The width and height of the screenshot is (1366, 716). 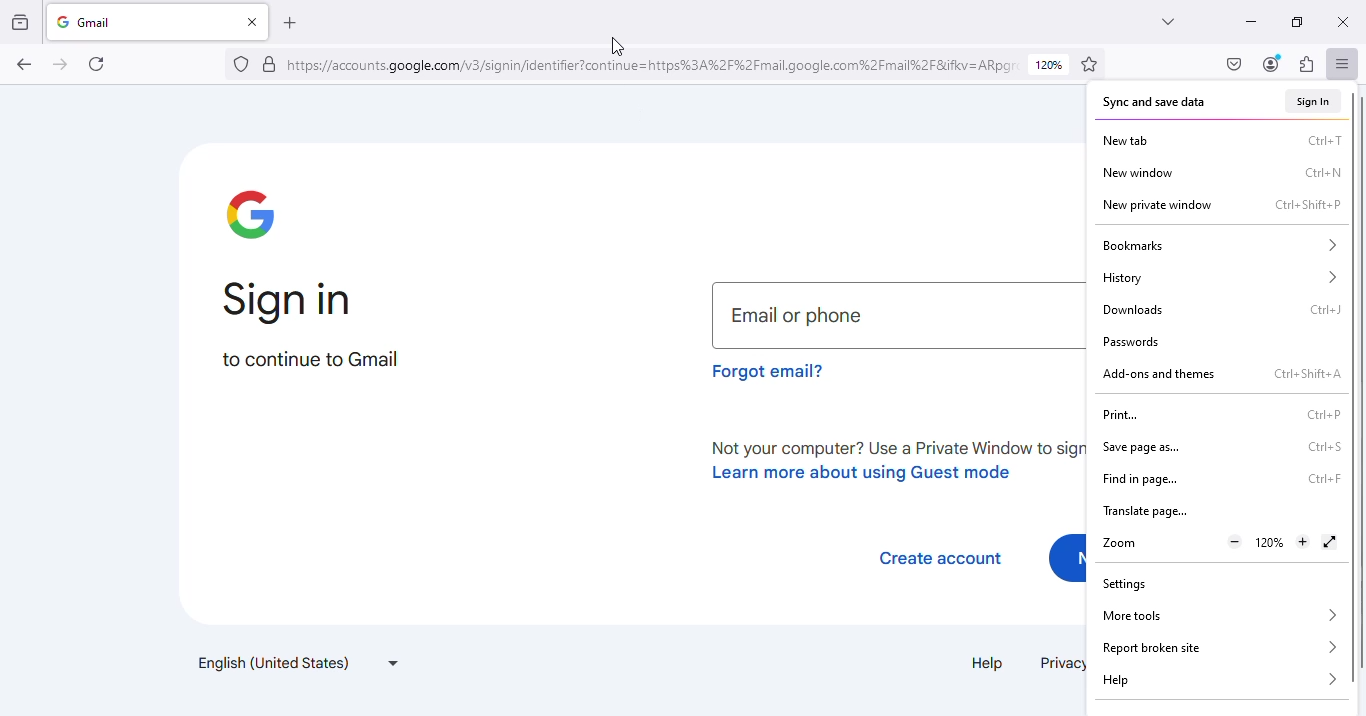 What do you see at coordinates (1322, 309) in the screenshot?
I see `shortcut for downloads` at bounding box center [1322, 309].